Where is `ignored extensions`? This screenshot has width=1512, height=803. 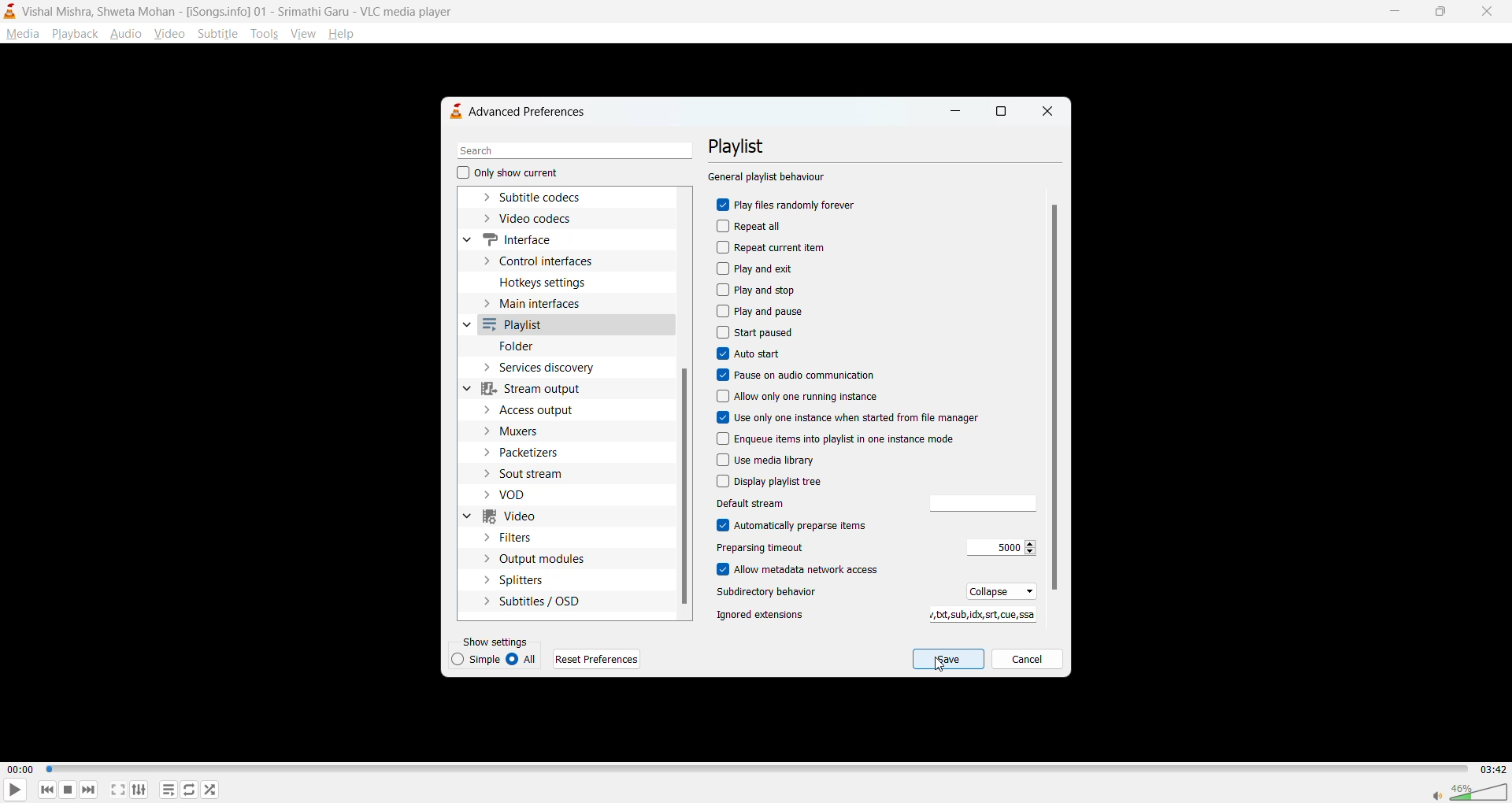 ignored extensions is located at coordinates (763, 615).